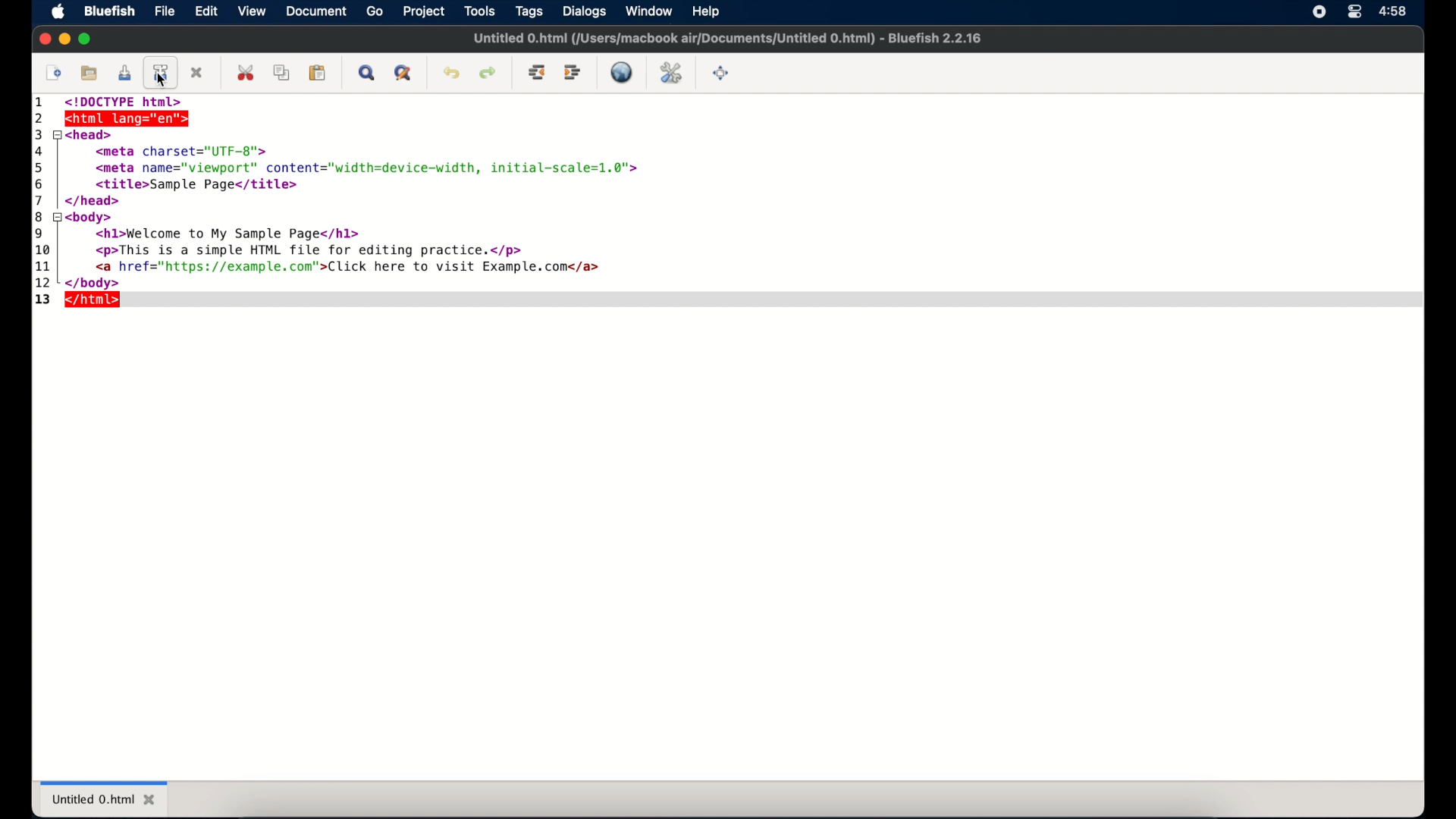 This screenshot has height=819, width=1456. I want to click on document, so click(318, 12).